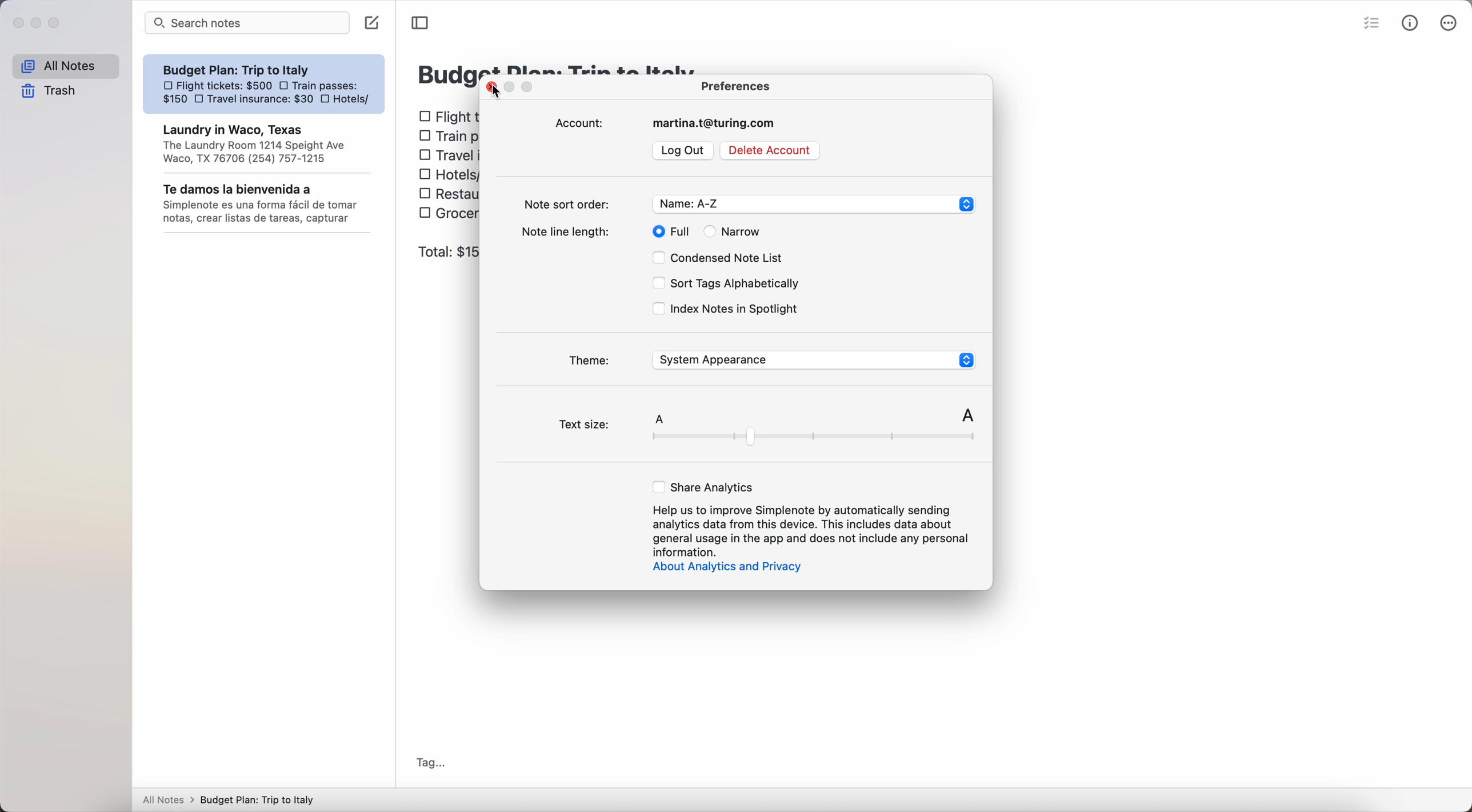  Describe the element at coordinates (433, 762) in the screenshot. I see `tag` at that location.